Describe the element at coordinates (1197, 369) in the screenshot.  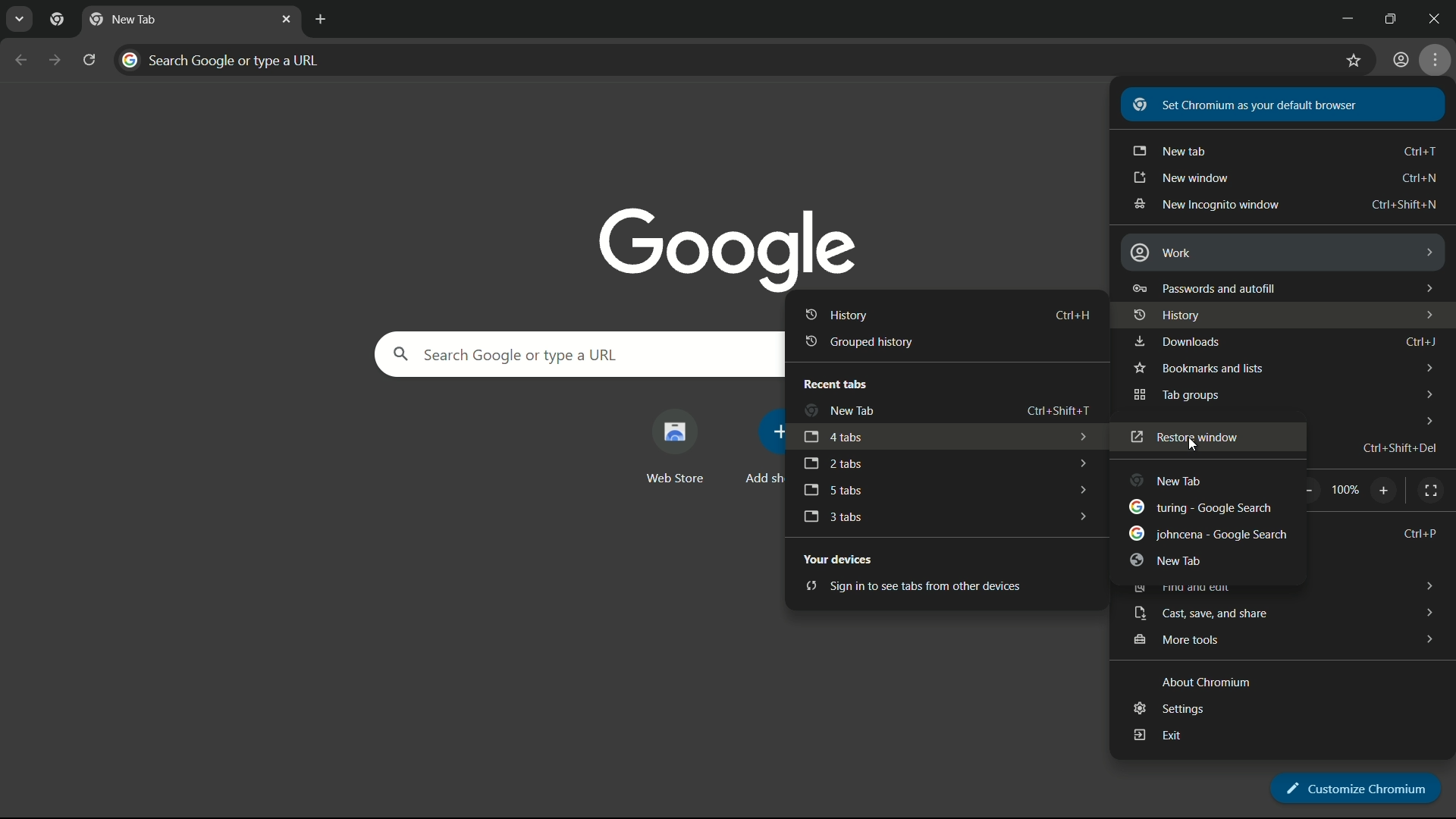
I see `bookmark and lists` at that location.